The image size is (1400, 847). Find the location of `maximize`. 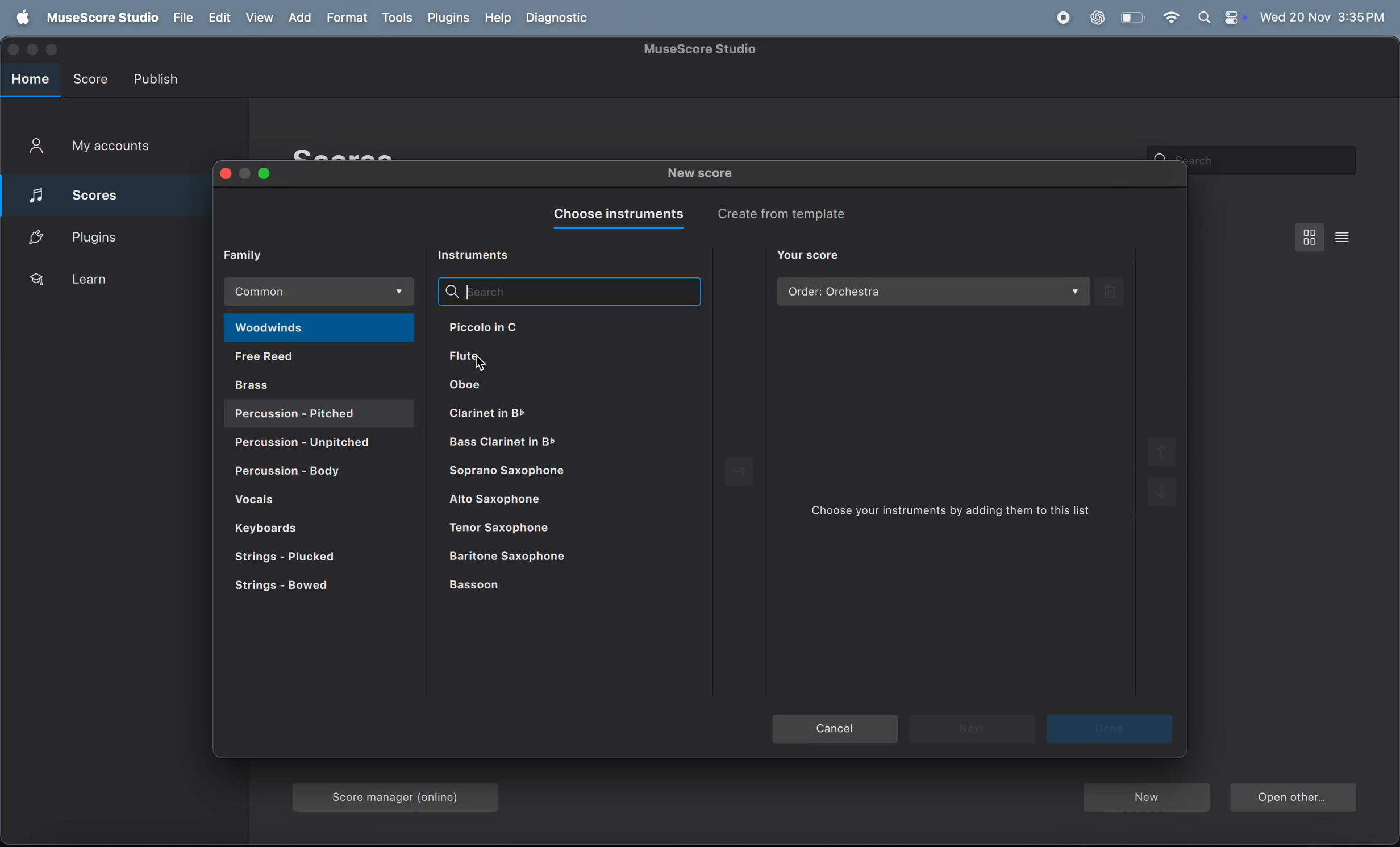

maximize is located at coordinates (266, 175).